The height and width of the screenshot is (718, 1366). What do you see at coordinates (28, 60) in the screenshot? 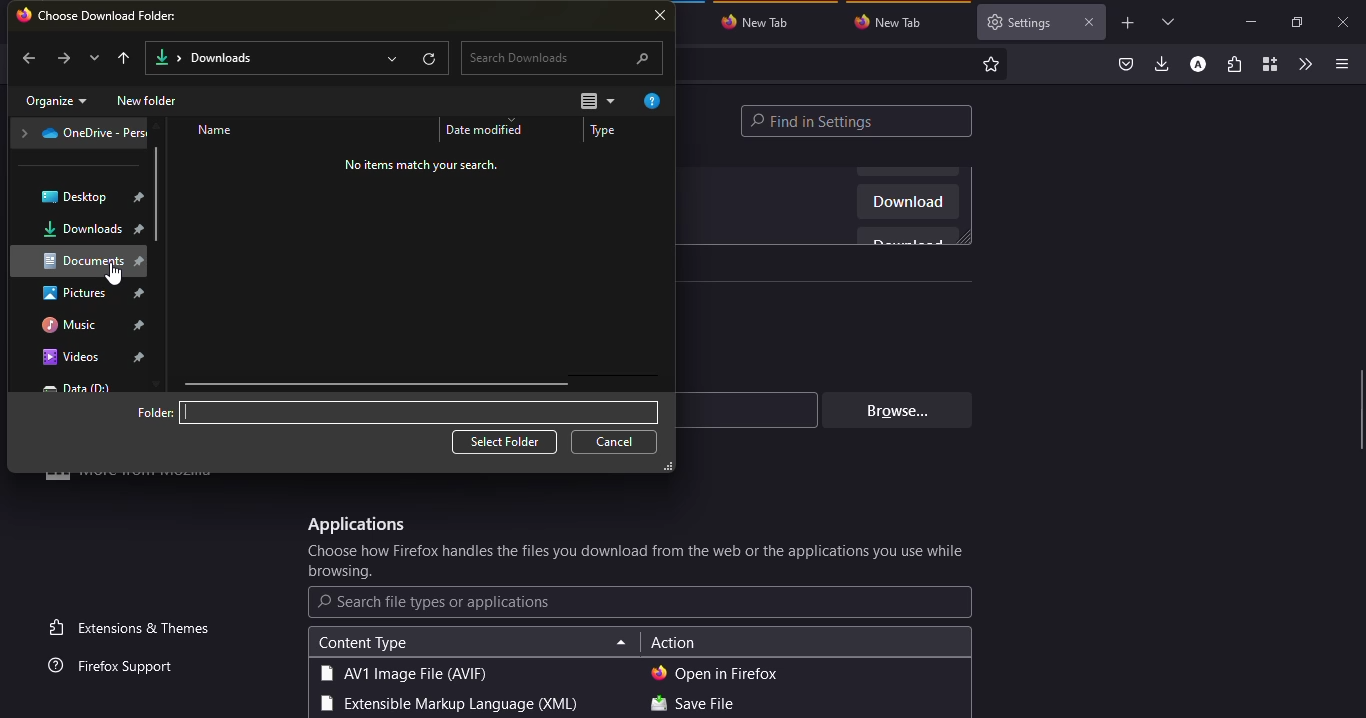
I see `back` at bounding box center [28, 60].